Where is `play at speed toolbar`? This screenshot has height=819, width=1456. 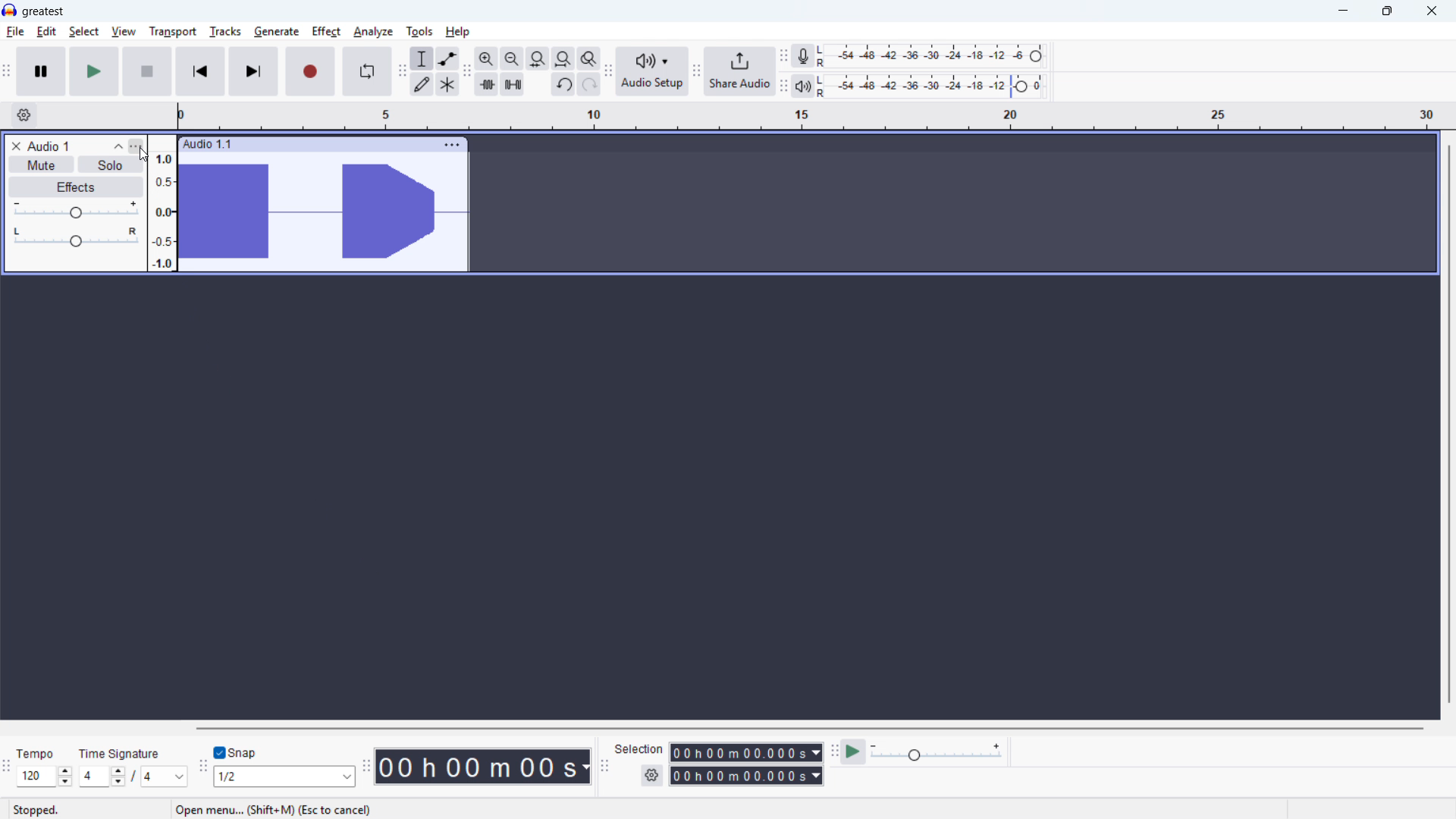
play at speed toolbar is located at coordinates (834, 752).